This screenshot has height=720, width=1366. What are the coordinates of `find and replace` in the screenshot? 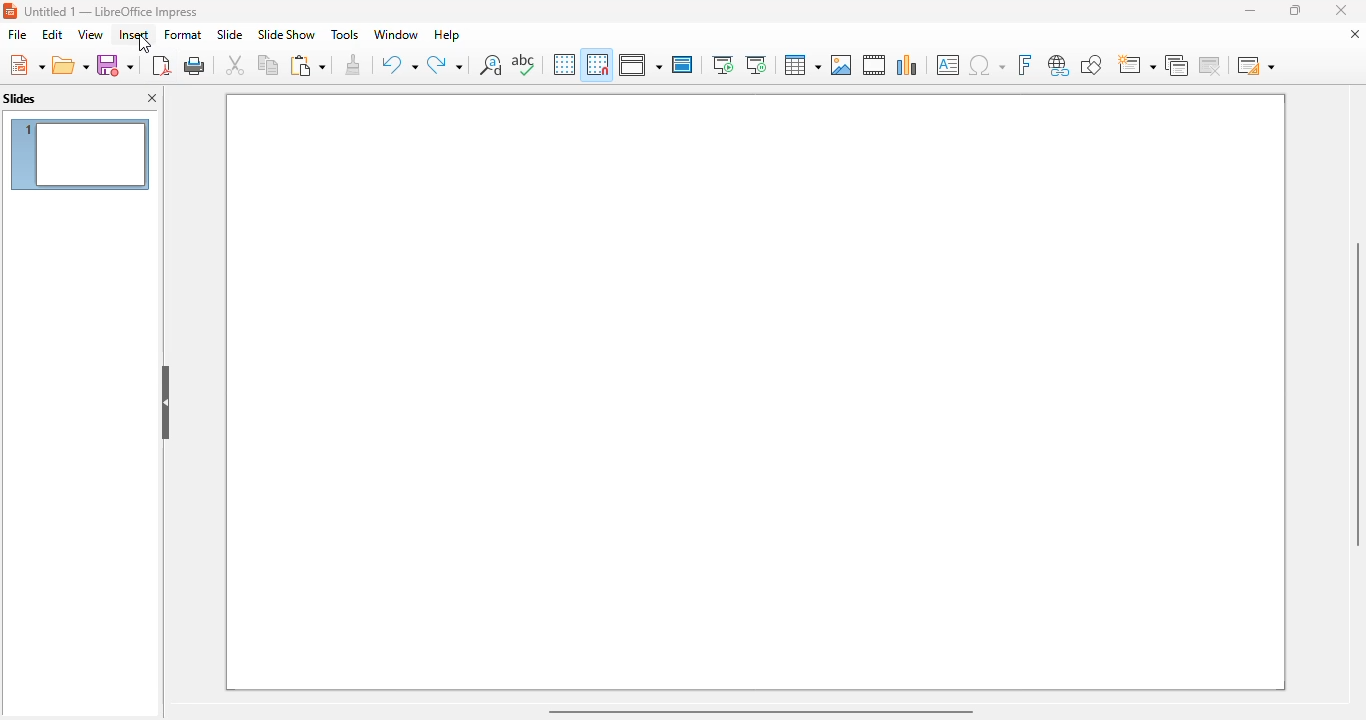 It's located at (491, 64).